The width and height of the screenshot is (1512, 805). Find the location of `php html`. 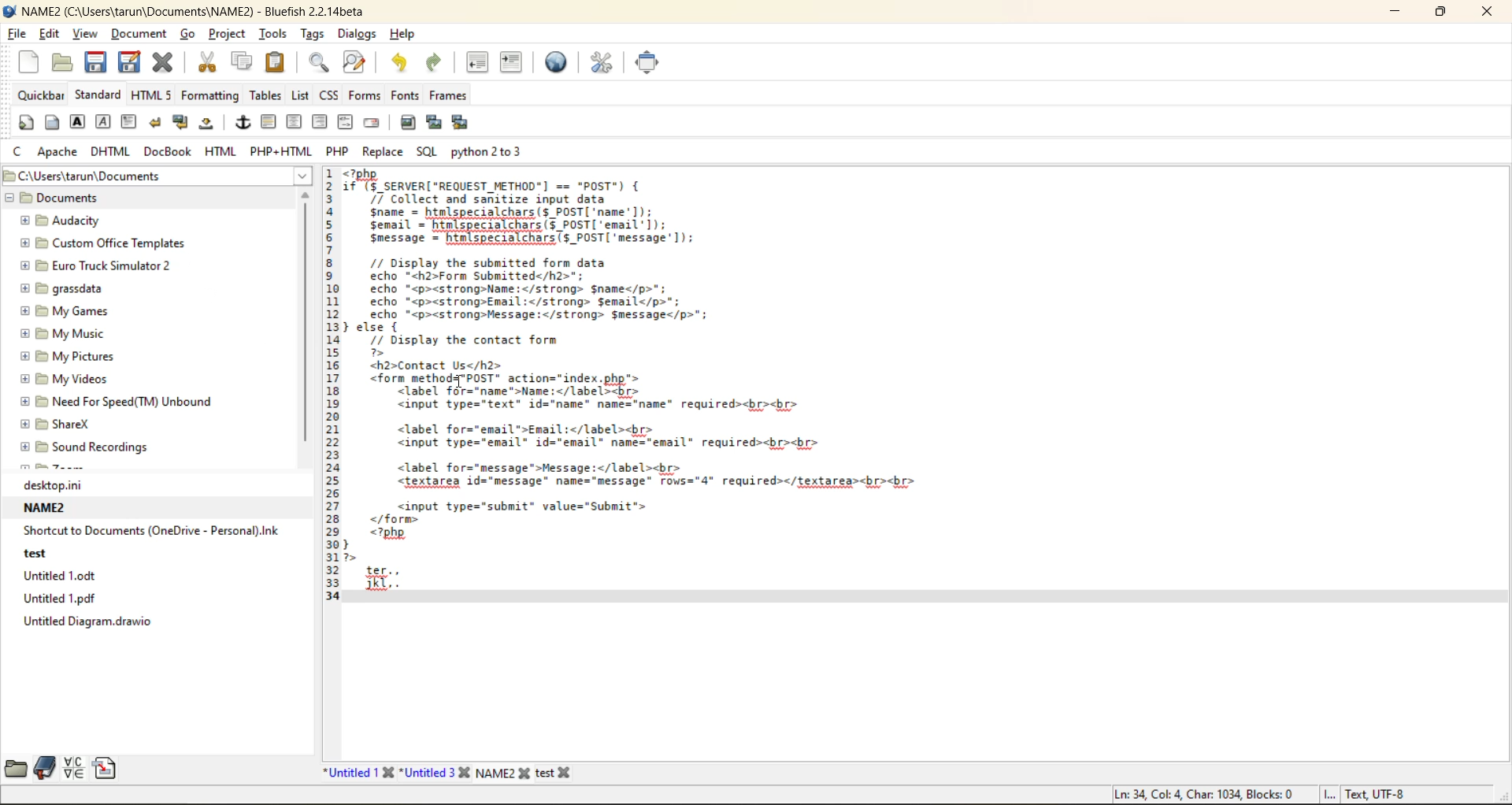

php html is located at coordinates (280, 150).